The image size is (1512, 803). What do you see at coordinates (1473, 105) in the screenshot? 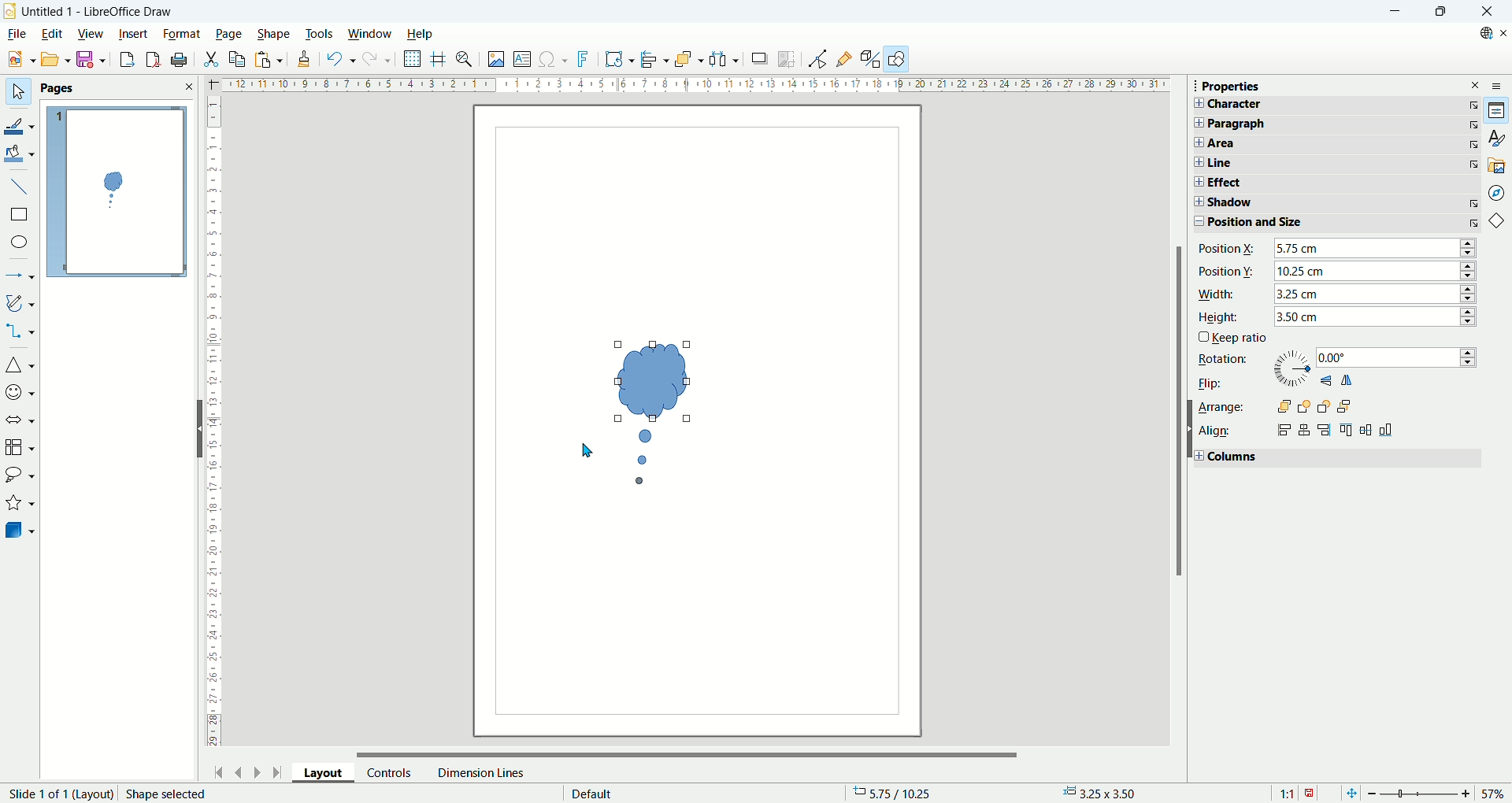
I see `More Options` at bounding box center [1473, 105].